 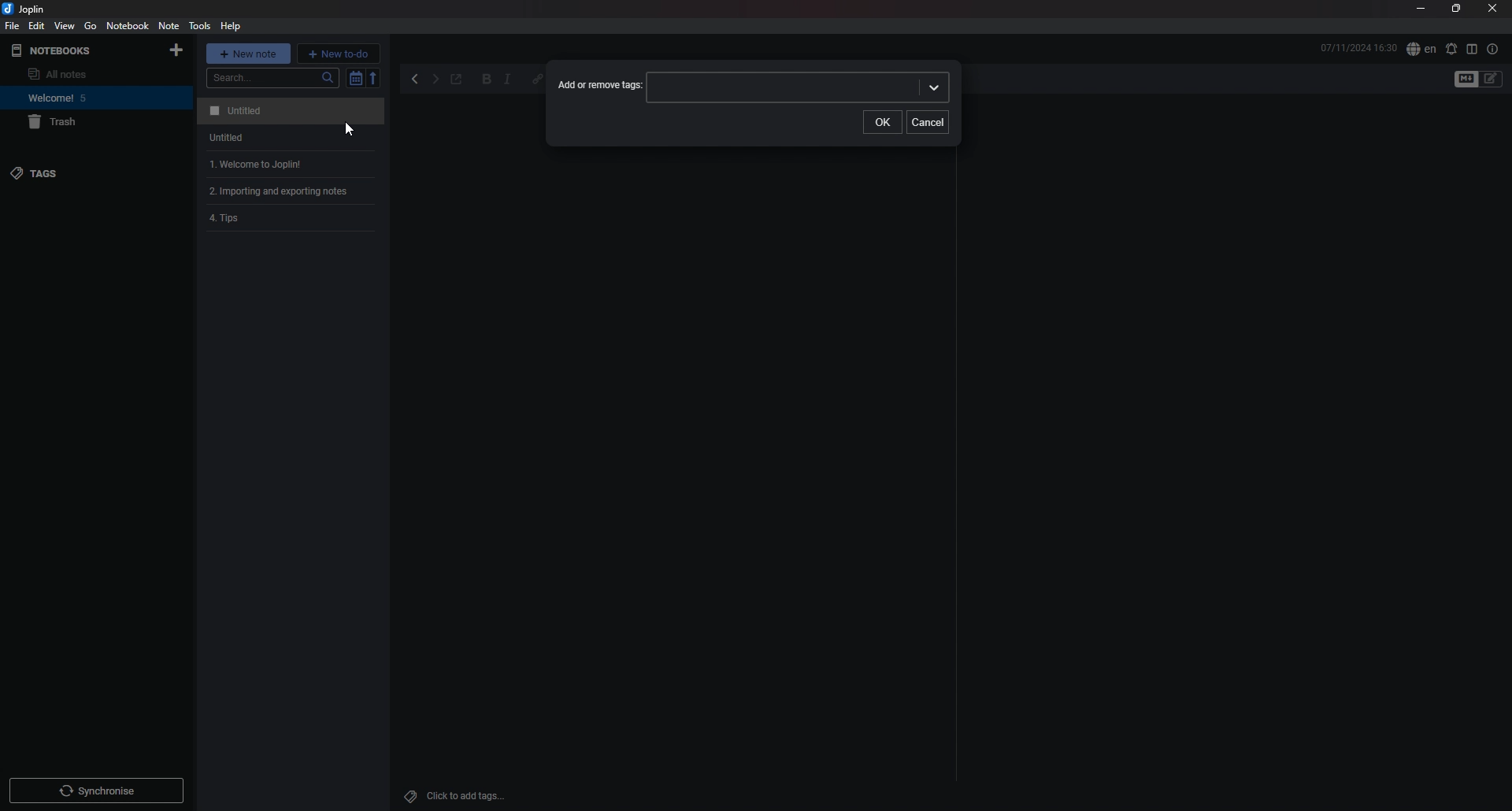 I want to click on view, so click(x=65, y=26).